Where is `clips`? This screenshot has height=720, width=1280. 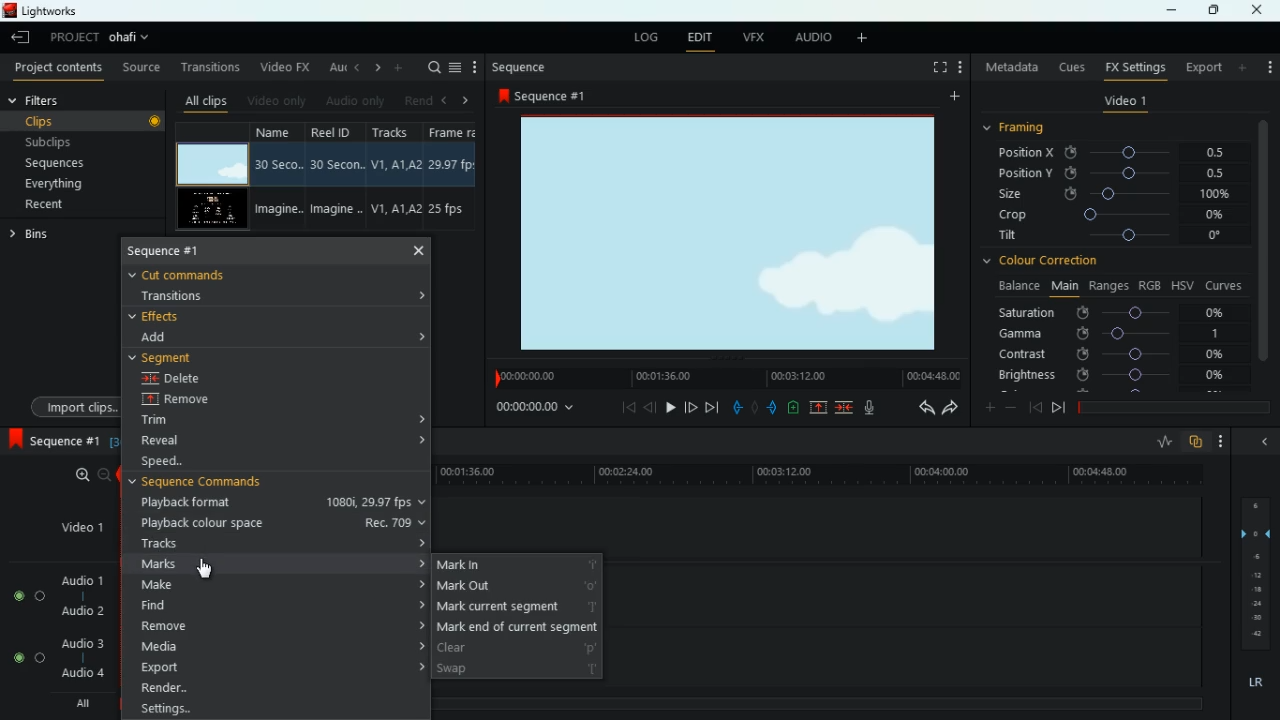 clips is located at coordinates (74, 121).